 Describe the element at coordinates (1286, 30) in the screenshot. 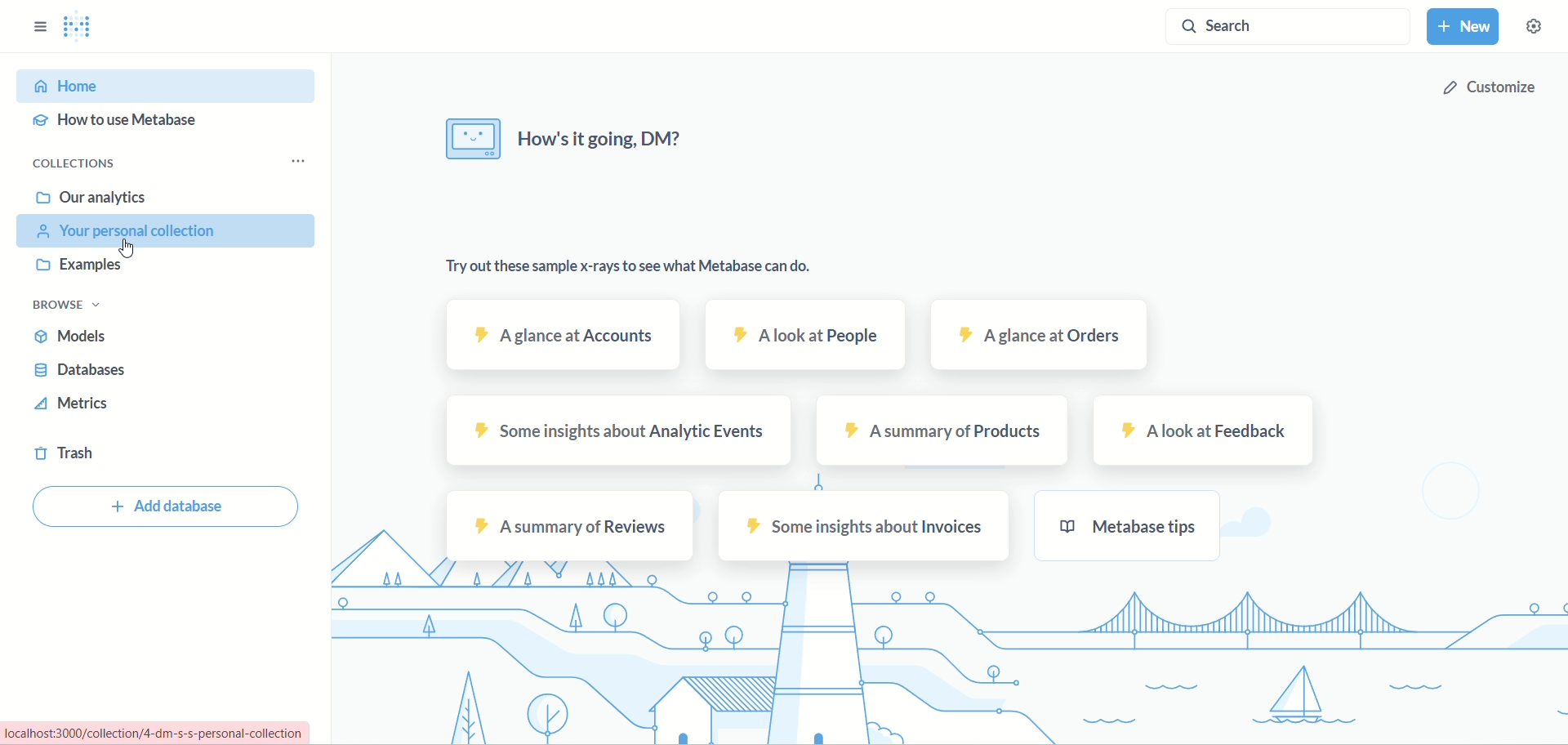

I see `search button` at that location.